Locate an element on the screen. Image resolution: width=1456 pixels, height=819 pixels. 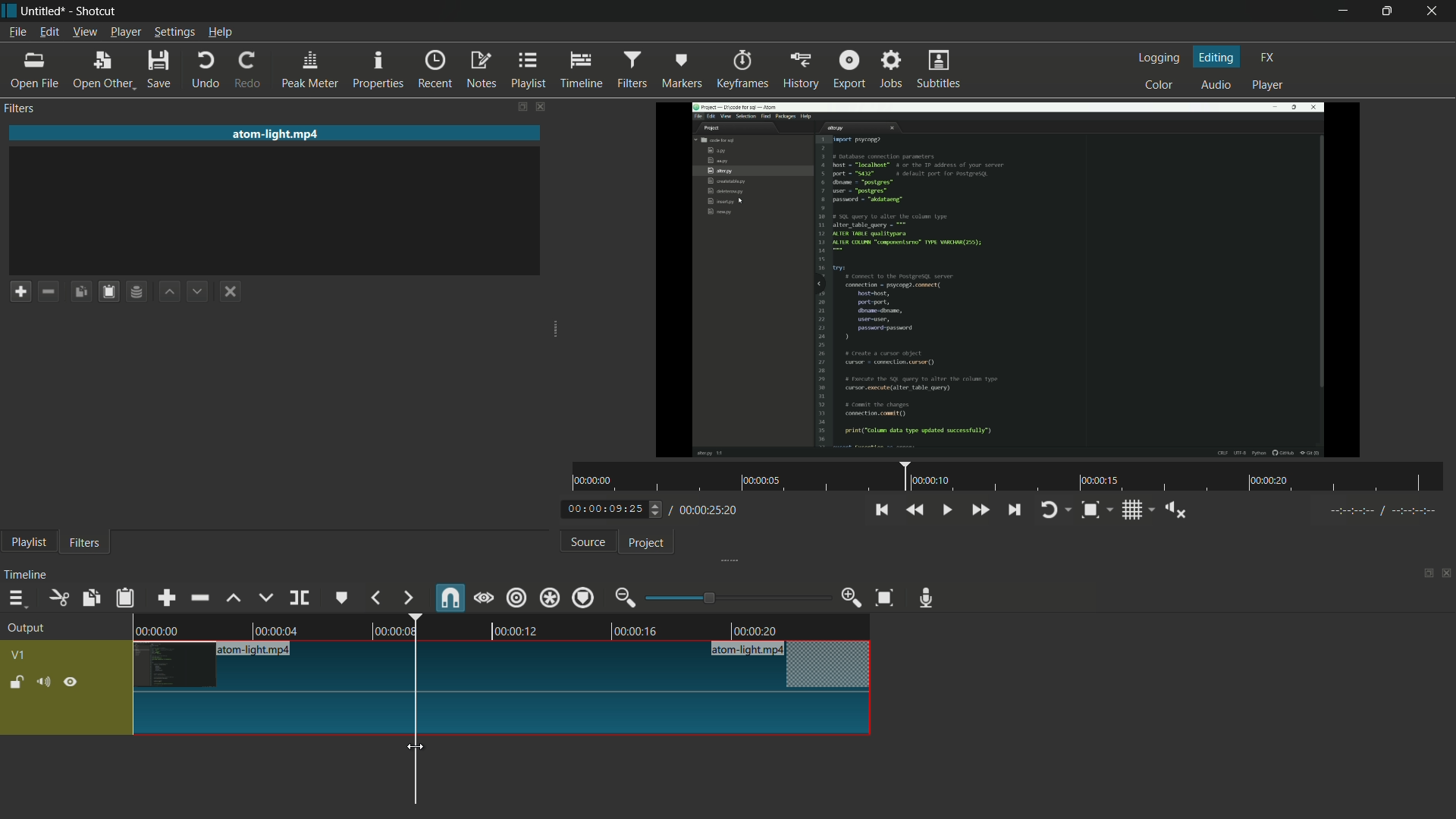
source is located at coordinates (588, 542).